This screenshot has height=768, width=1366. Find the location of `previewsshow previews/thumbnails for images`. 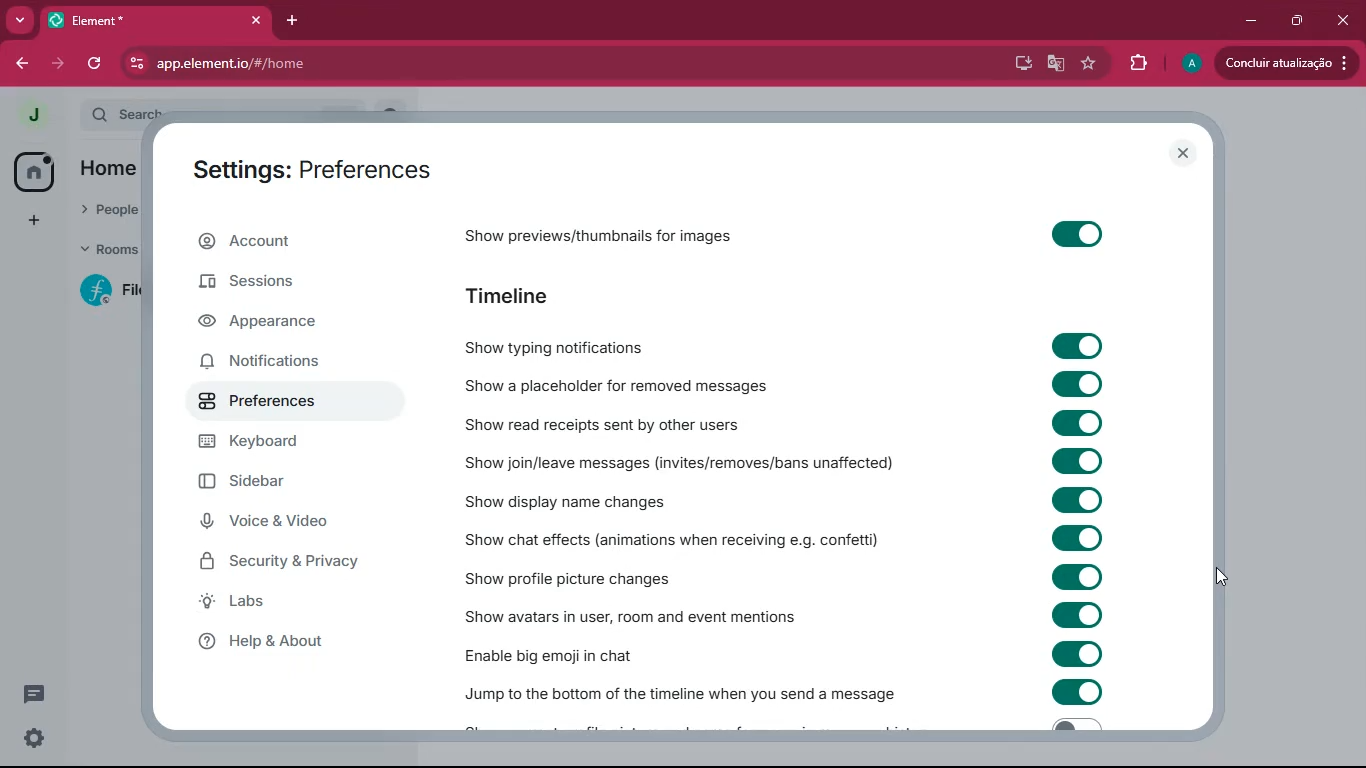

previewsshow previews/thumbnails for images is located at coordinates (638, 233).